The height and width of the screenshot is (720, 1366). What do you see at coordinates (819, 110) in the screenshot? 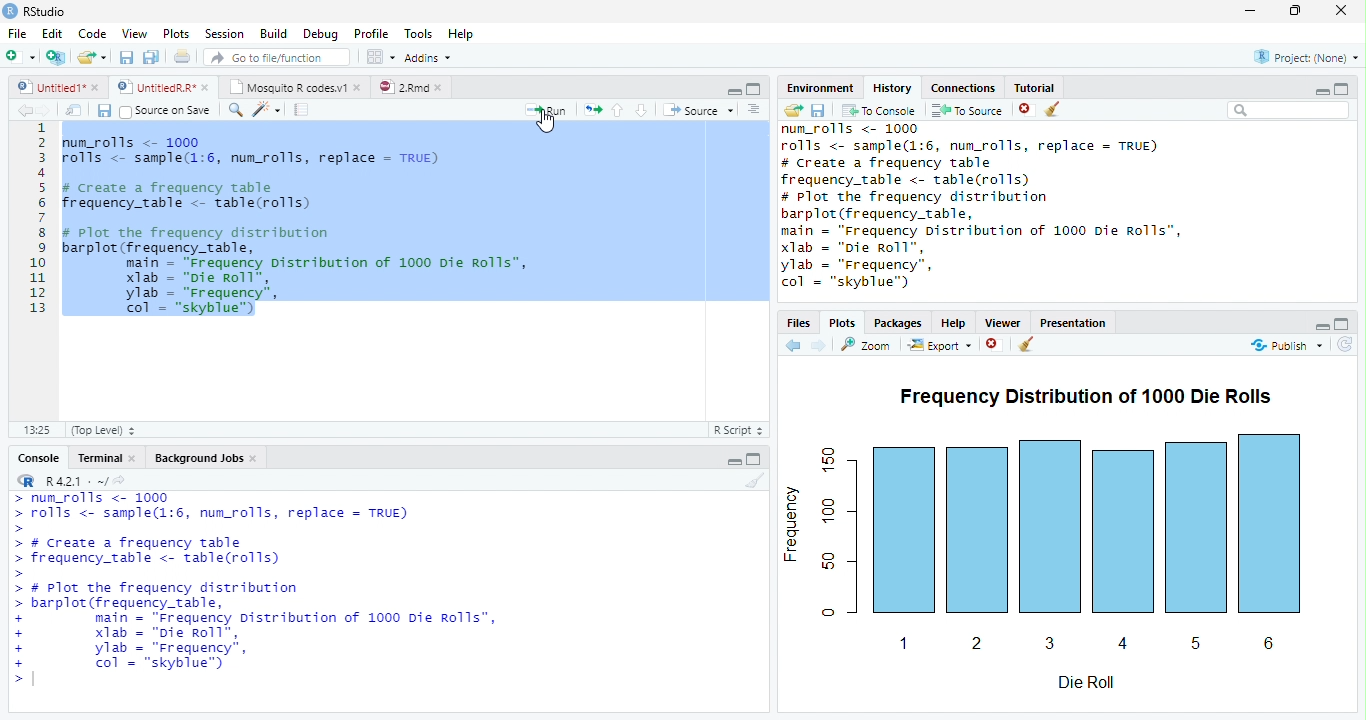
I see `Save File` at bounding box center [819, 110].